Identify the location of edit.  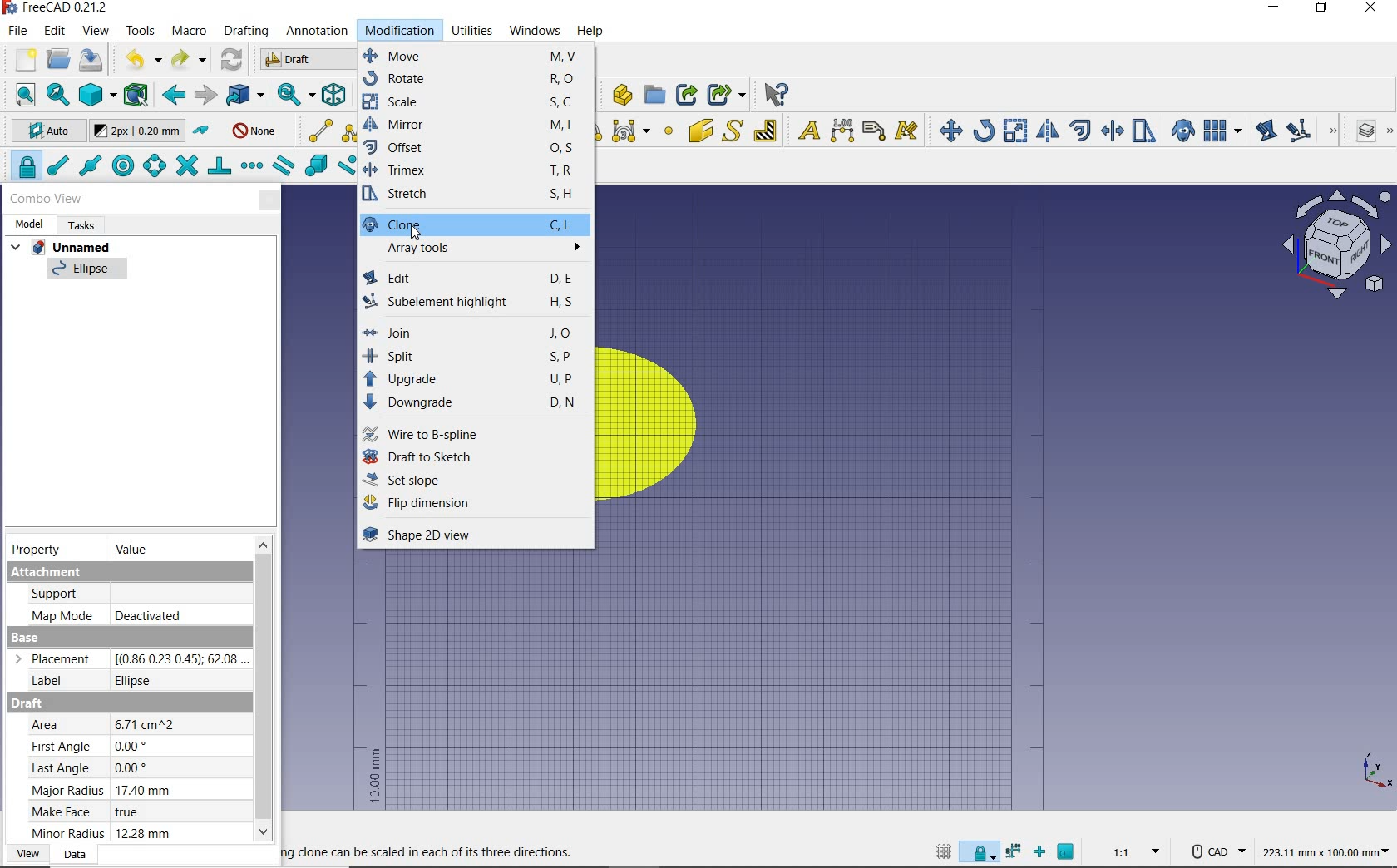
(1265, 130).